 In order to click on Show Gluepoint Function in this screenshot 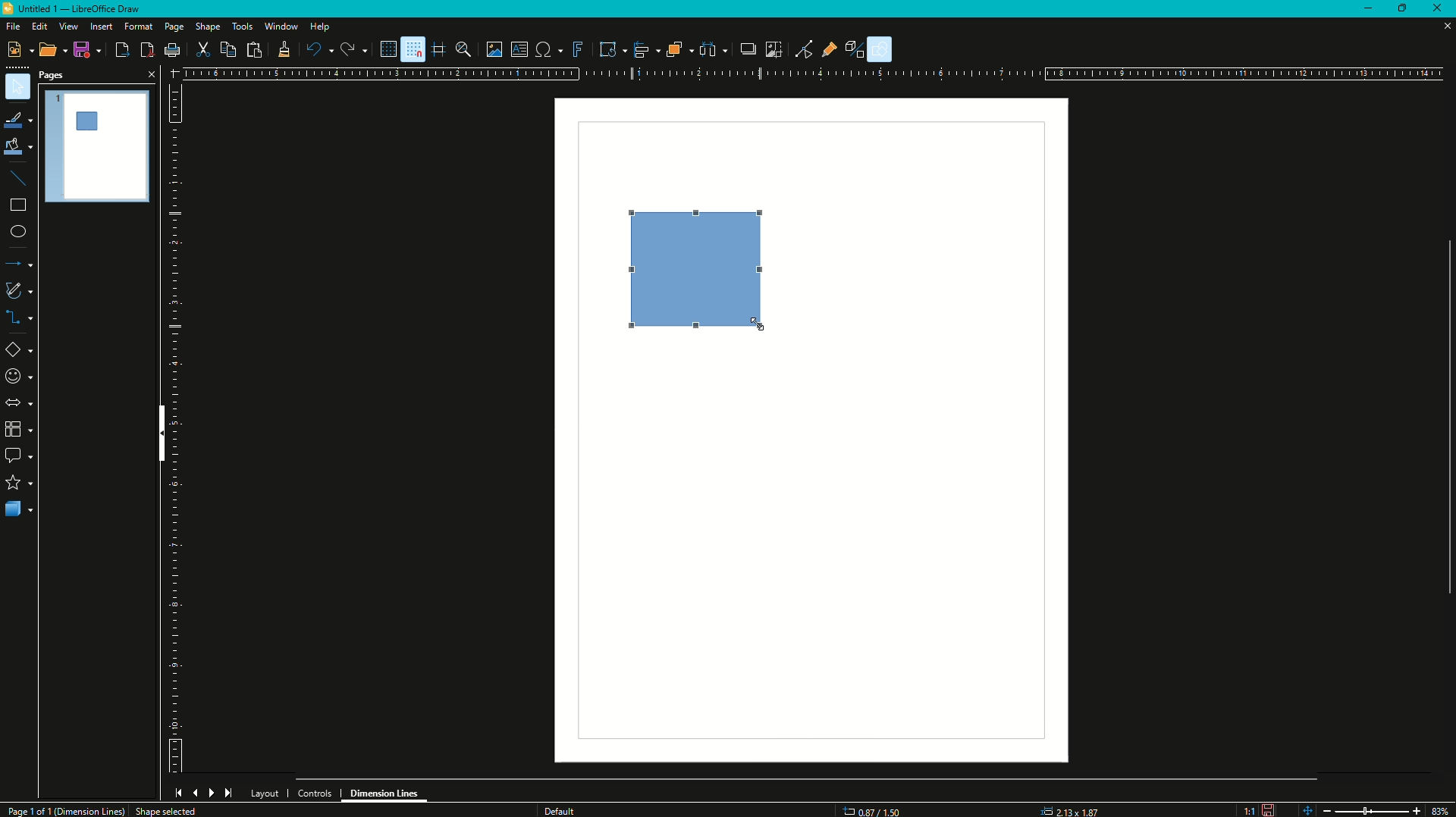, I will do `click(833, 50)`.